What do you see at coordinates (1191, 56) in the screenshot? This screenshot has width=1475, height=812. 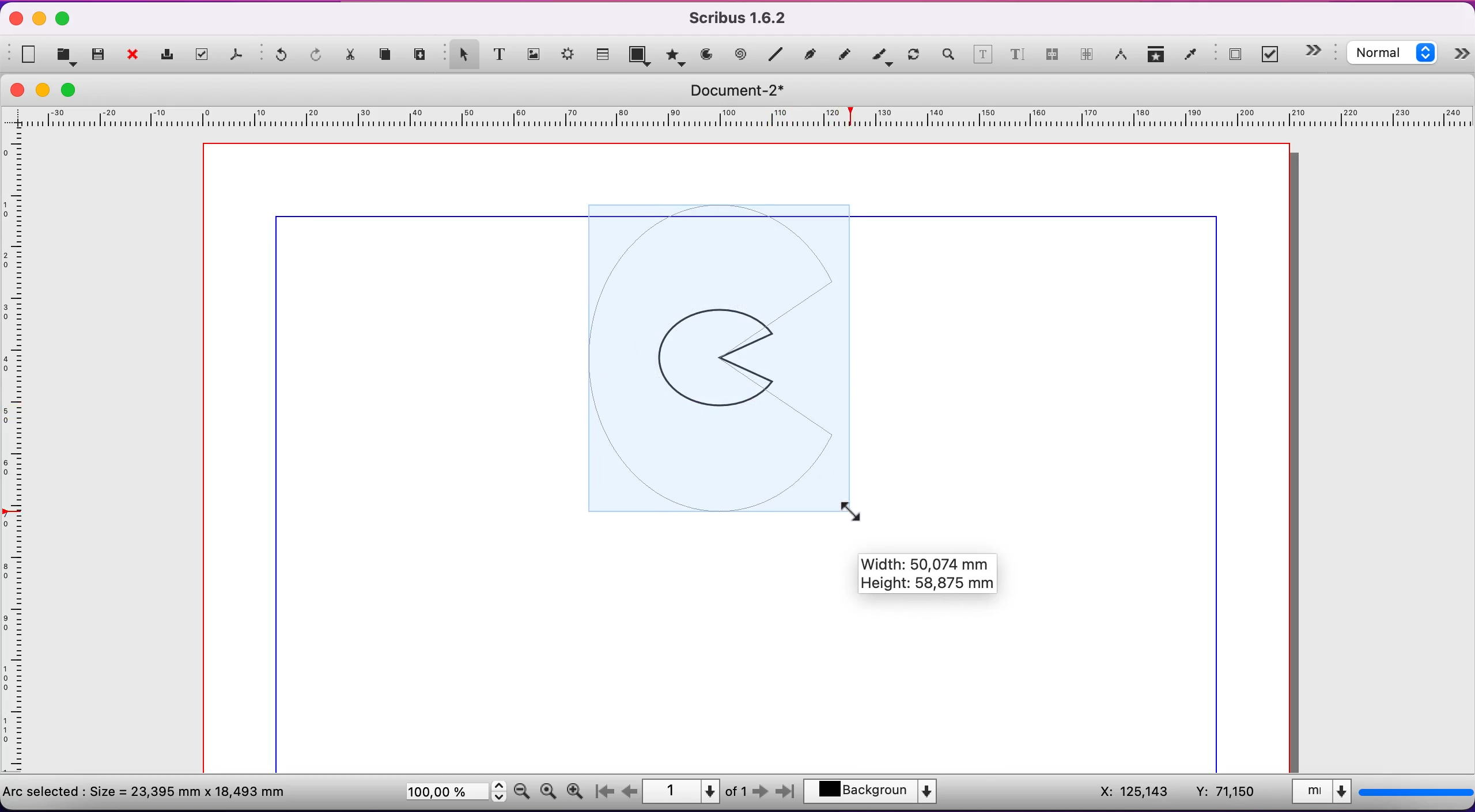 I see `eye dropper` at bounding box center [1191, 56].